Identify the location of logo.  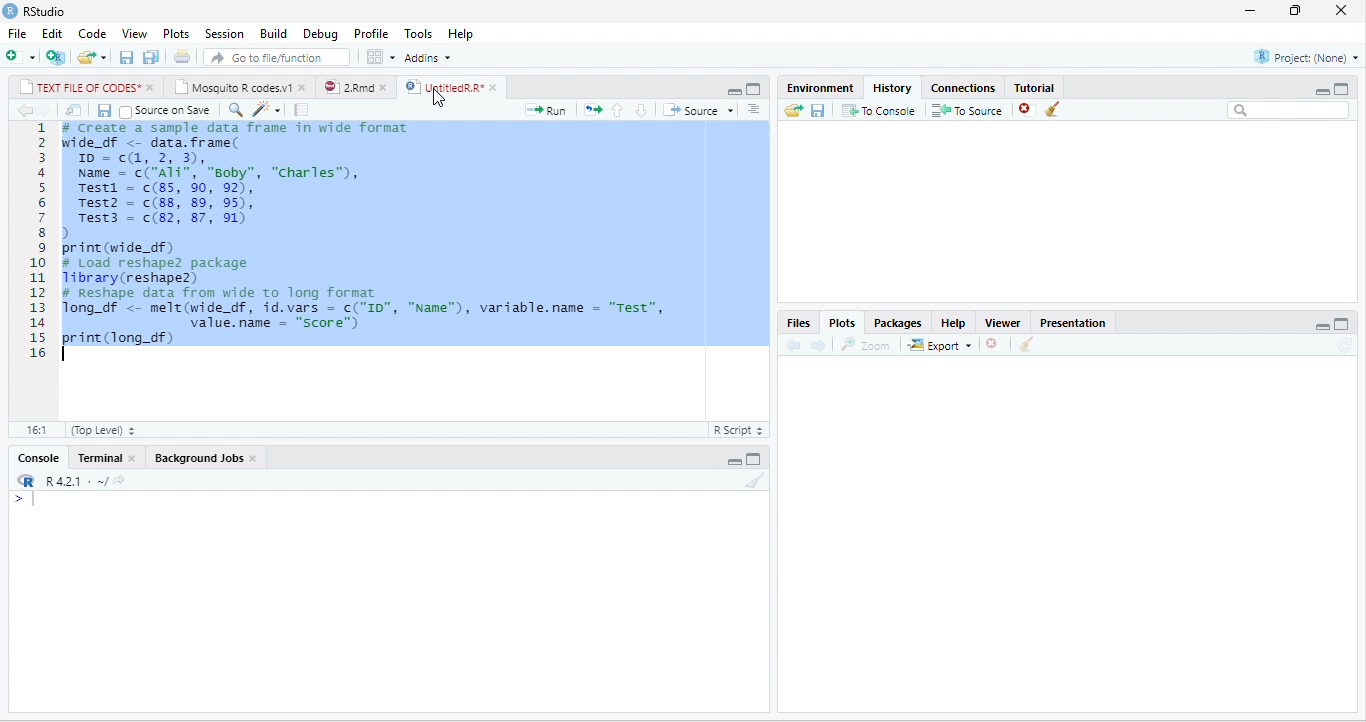
(11, 10).